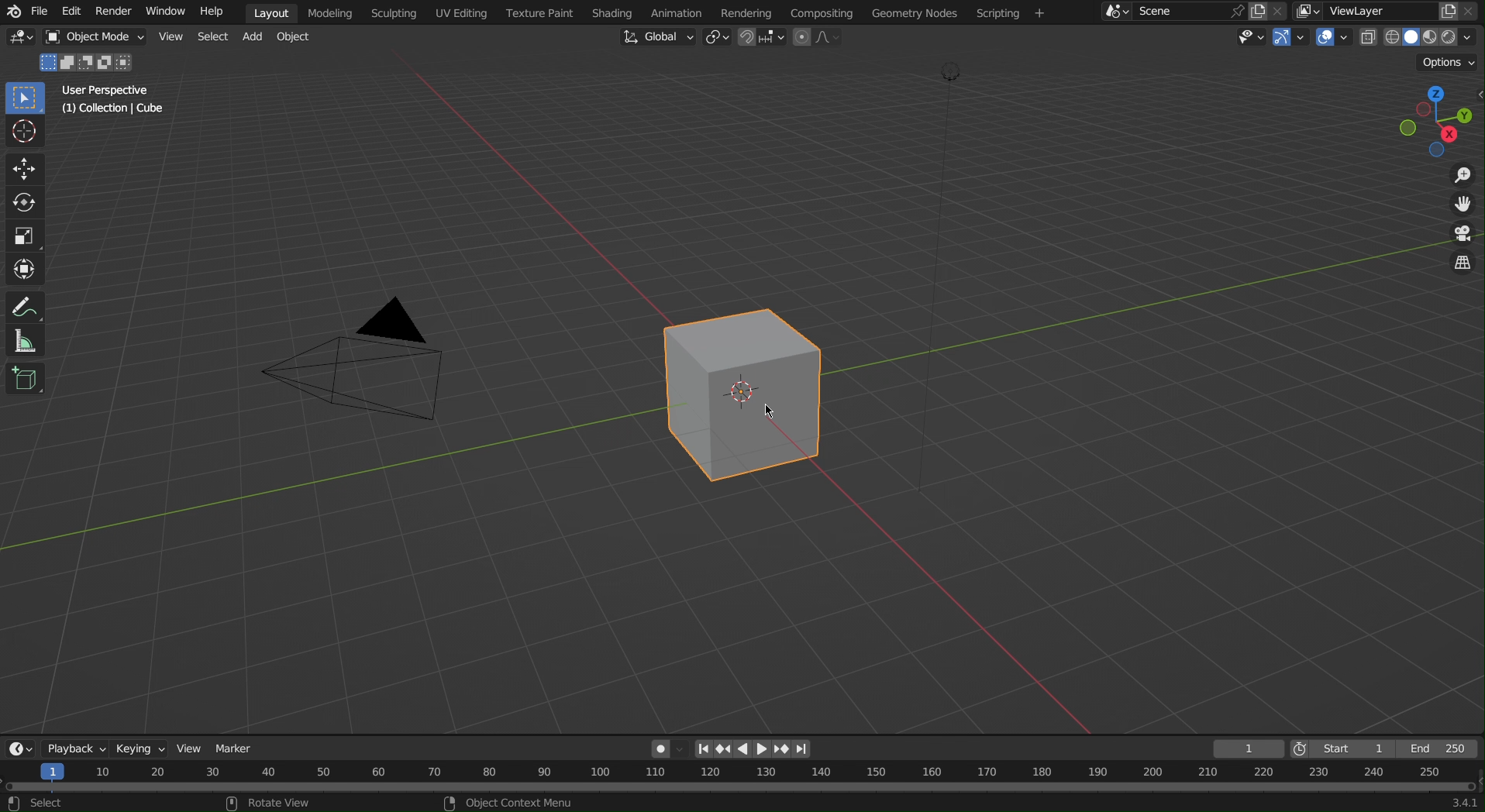  I want to click on Scene, so click(1177, 12).